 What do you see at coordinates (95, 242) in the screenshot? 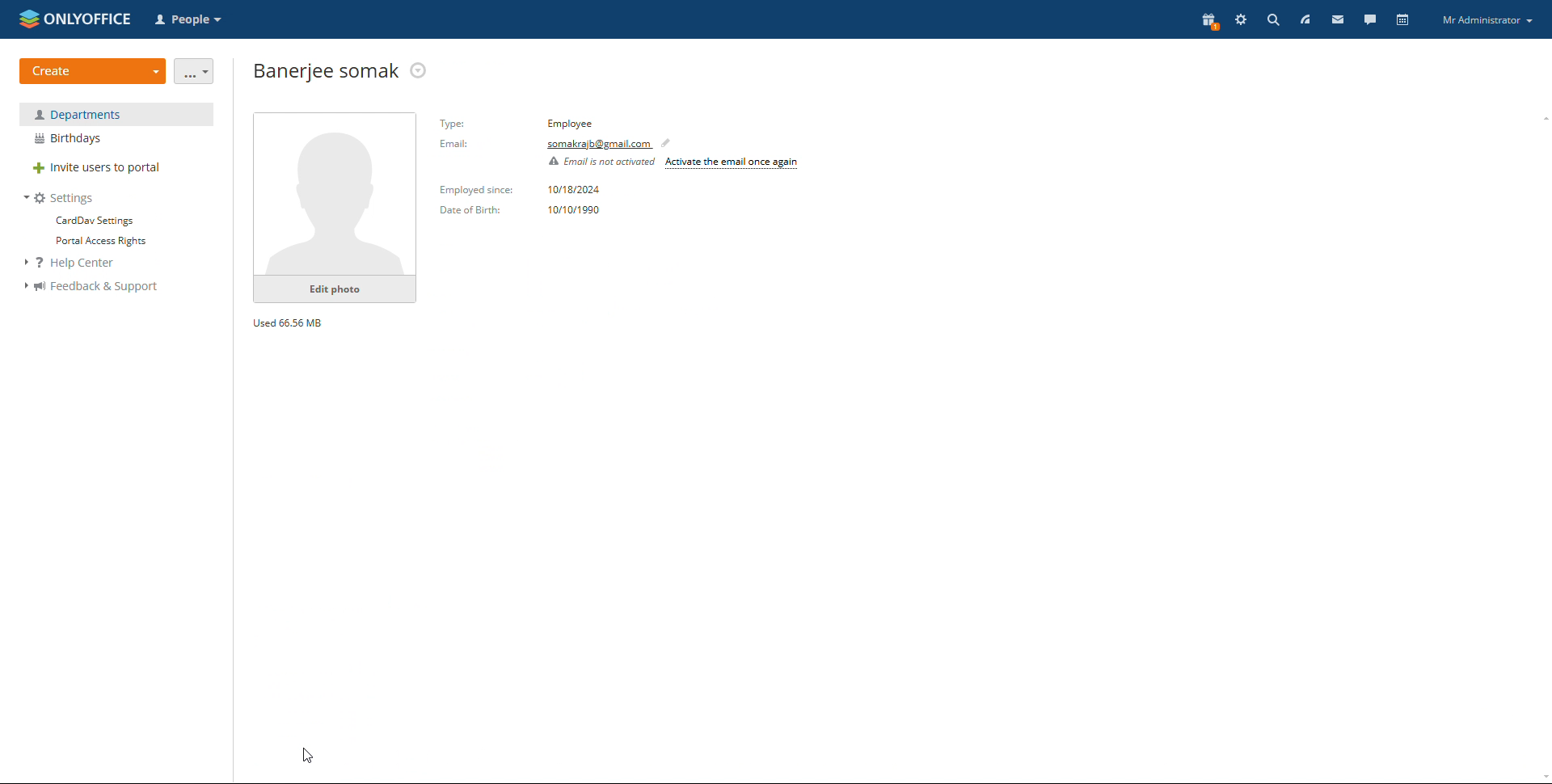
I see `portal access rights` at bounding box center [95, 242].